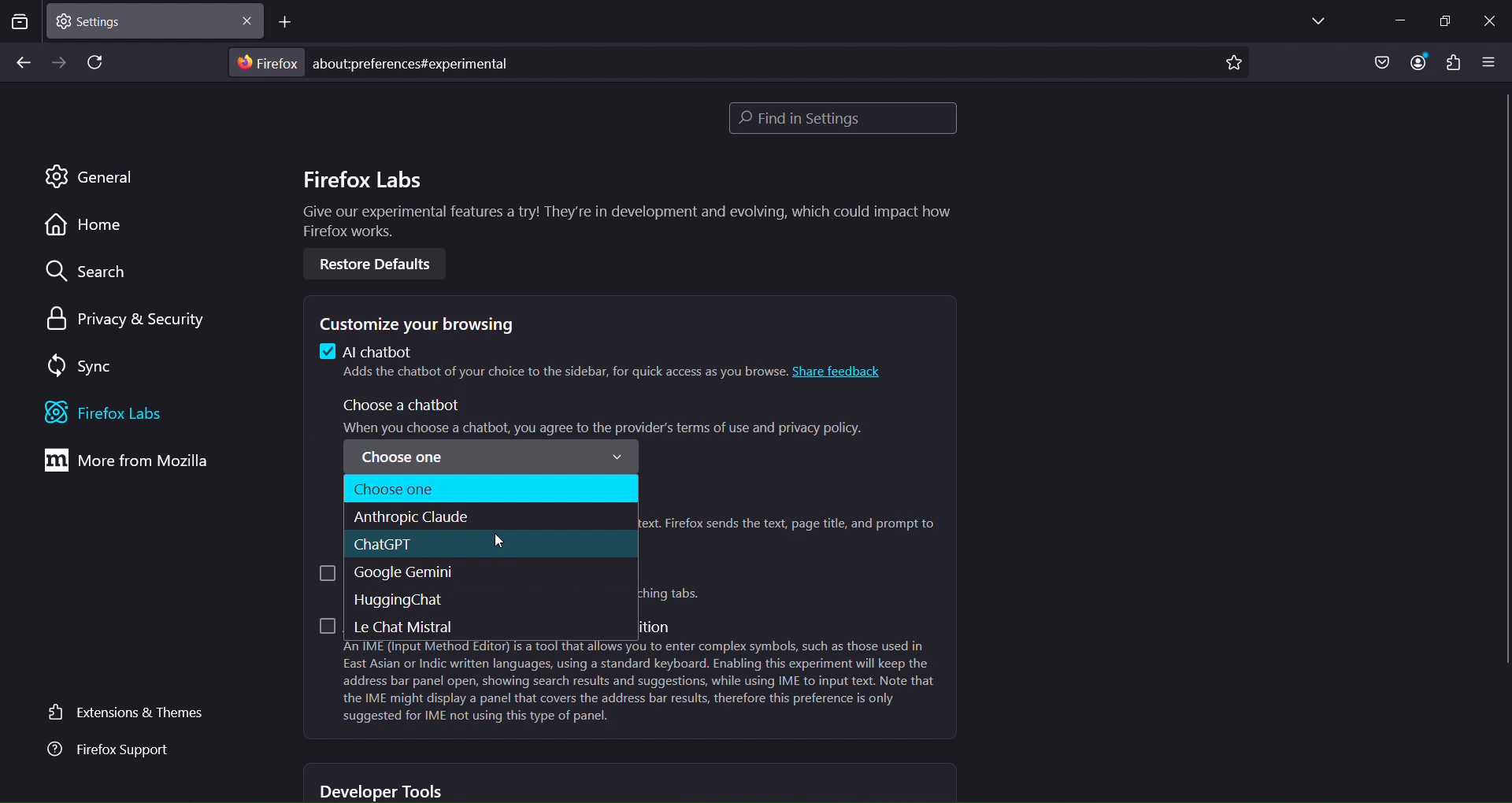  Describe the element at coordinates (96, 177) in the screenshot. I see `general` at that location.